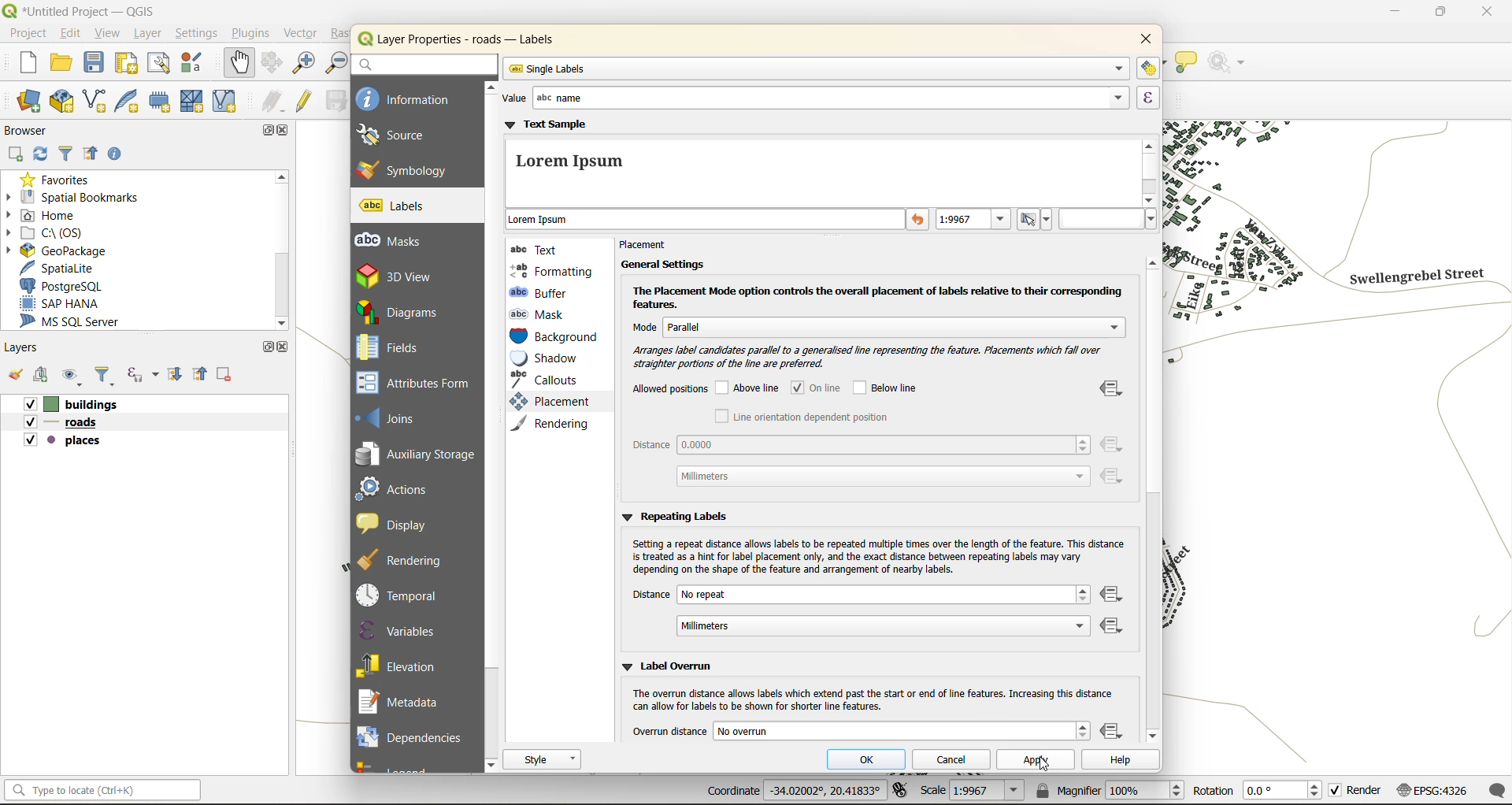 This screenshot has width=1512, height=805. What do you see at coordinates (919, 221) in the screenshot?
I see `reset` at bounding box center [919, 221].